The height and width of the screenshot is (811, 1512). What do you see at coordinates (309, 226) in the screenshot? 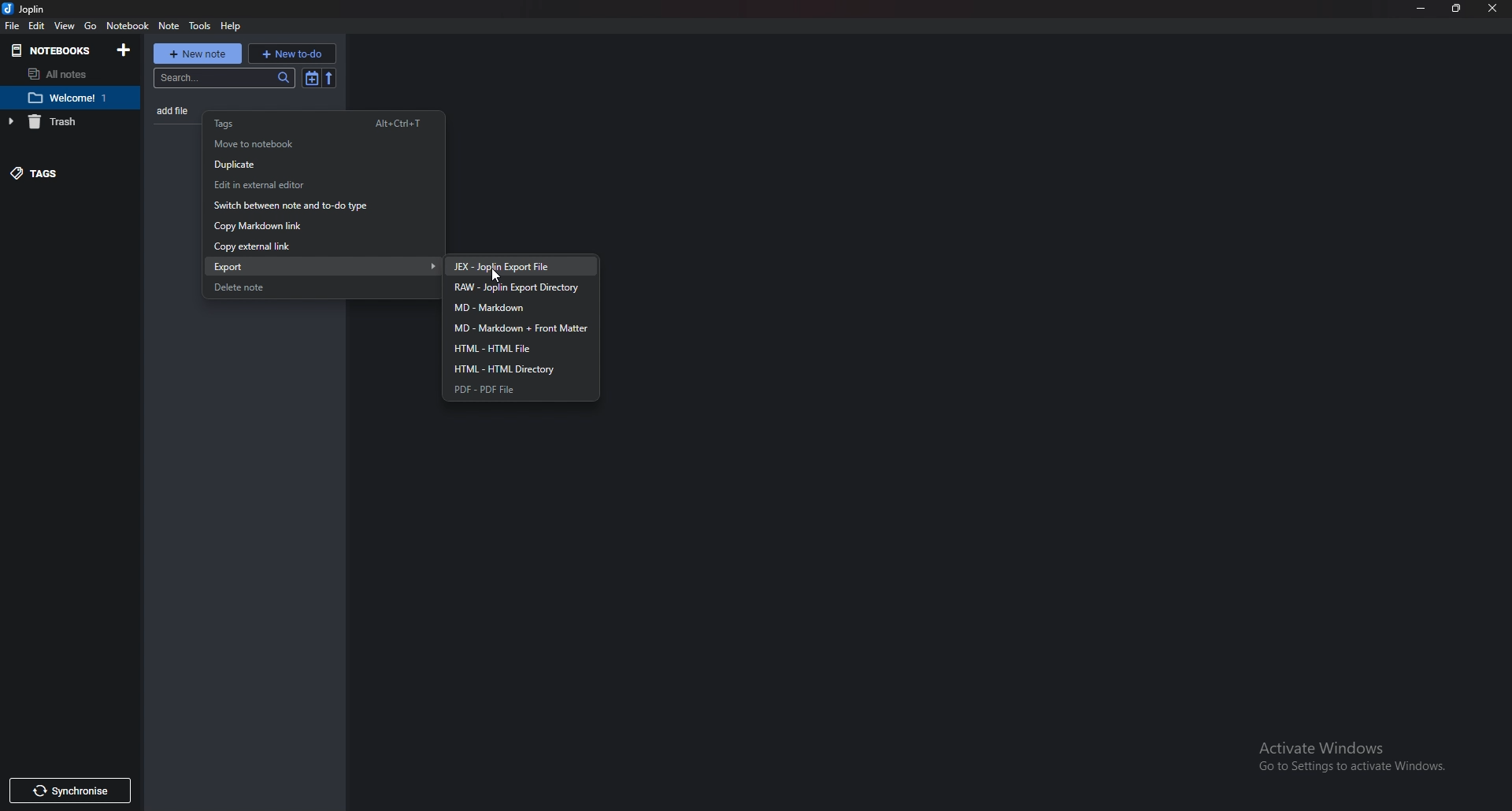
I see `Copy Markdown link` at bounding box center [309, 226].